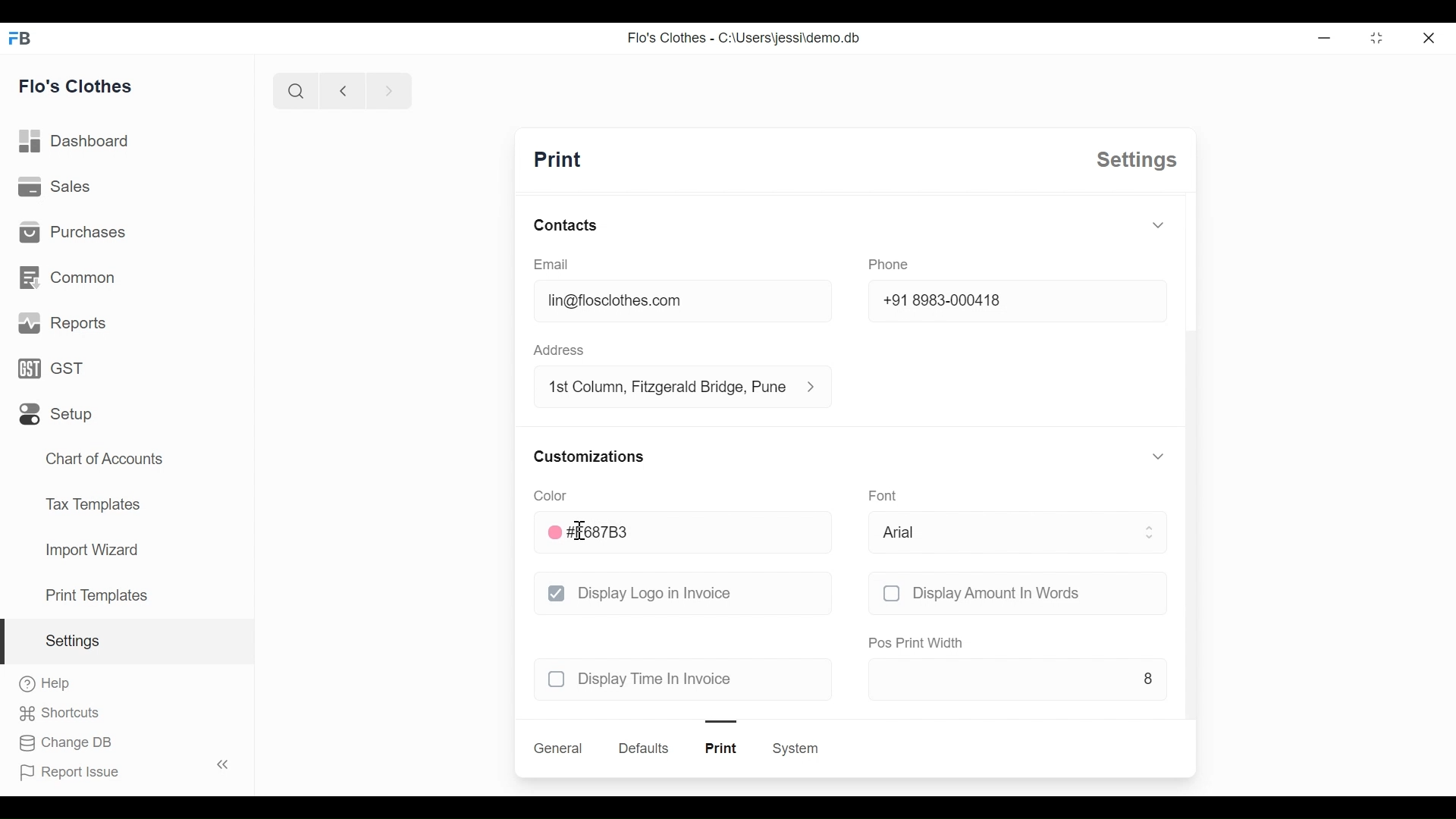  What do you see at coordinates (557, 160) in the screenshot?
I see `print` at bounding box center [557, 160].